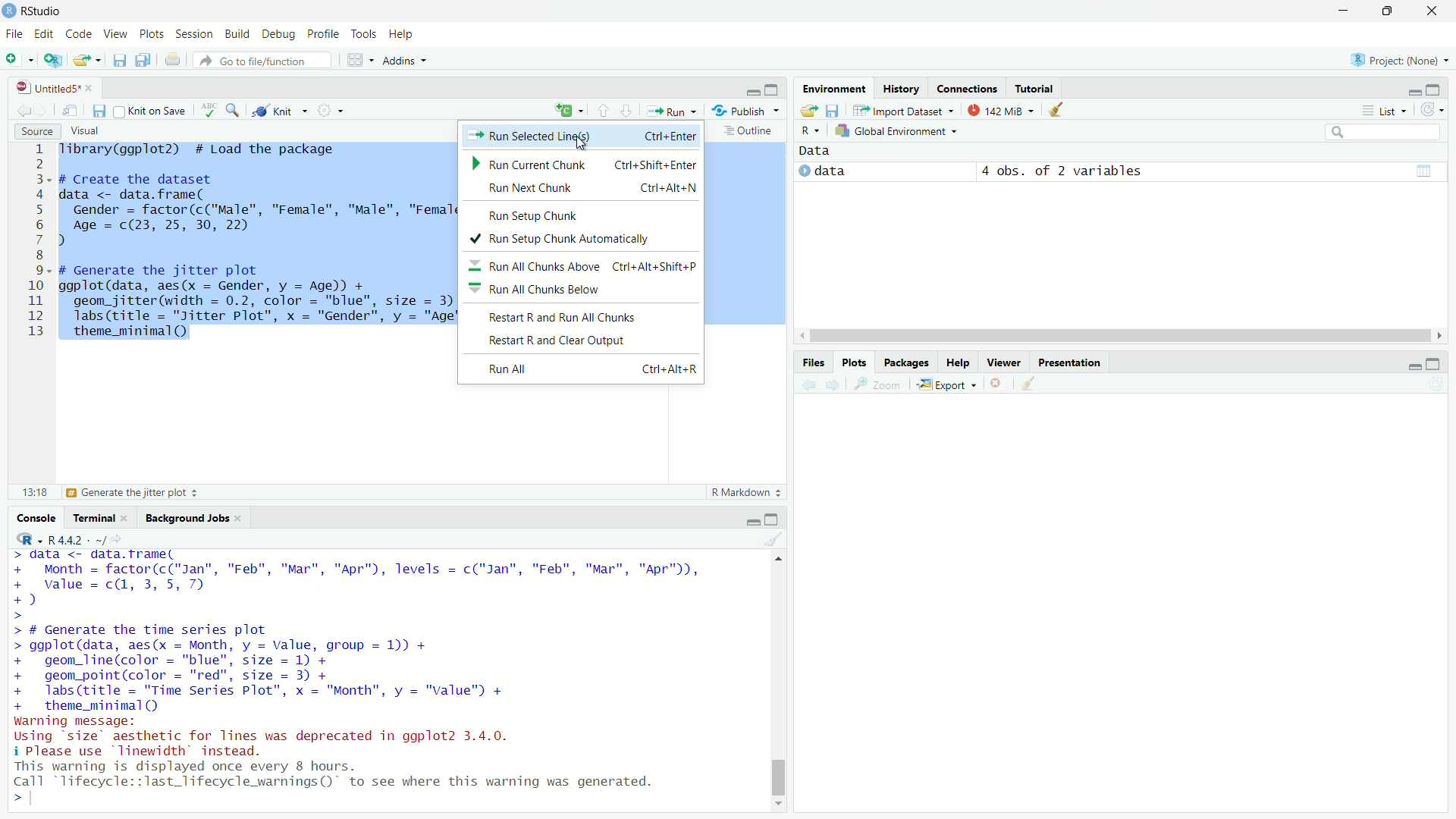 This screenshot has height=819, width=1456. Describe the element at coordinates (48, 11) in the screenshot. I see `RStudio` at that location.